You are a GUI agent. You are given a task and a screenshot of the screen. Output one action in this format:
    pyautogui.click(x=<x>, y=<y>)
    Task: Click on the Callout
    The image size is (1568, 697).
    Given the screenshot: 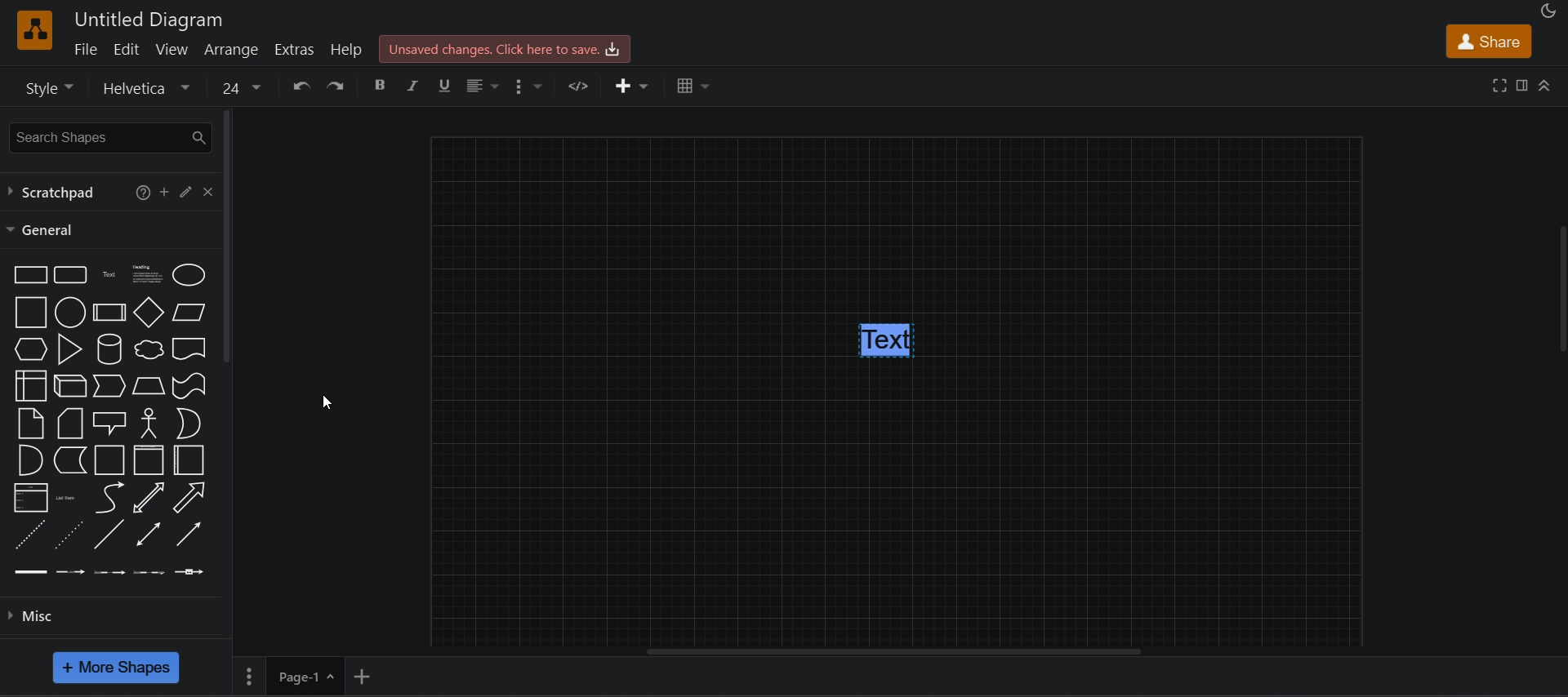 What is the action you would take?
    pyautogui.click(x=109, y=424)
    